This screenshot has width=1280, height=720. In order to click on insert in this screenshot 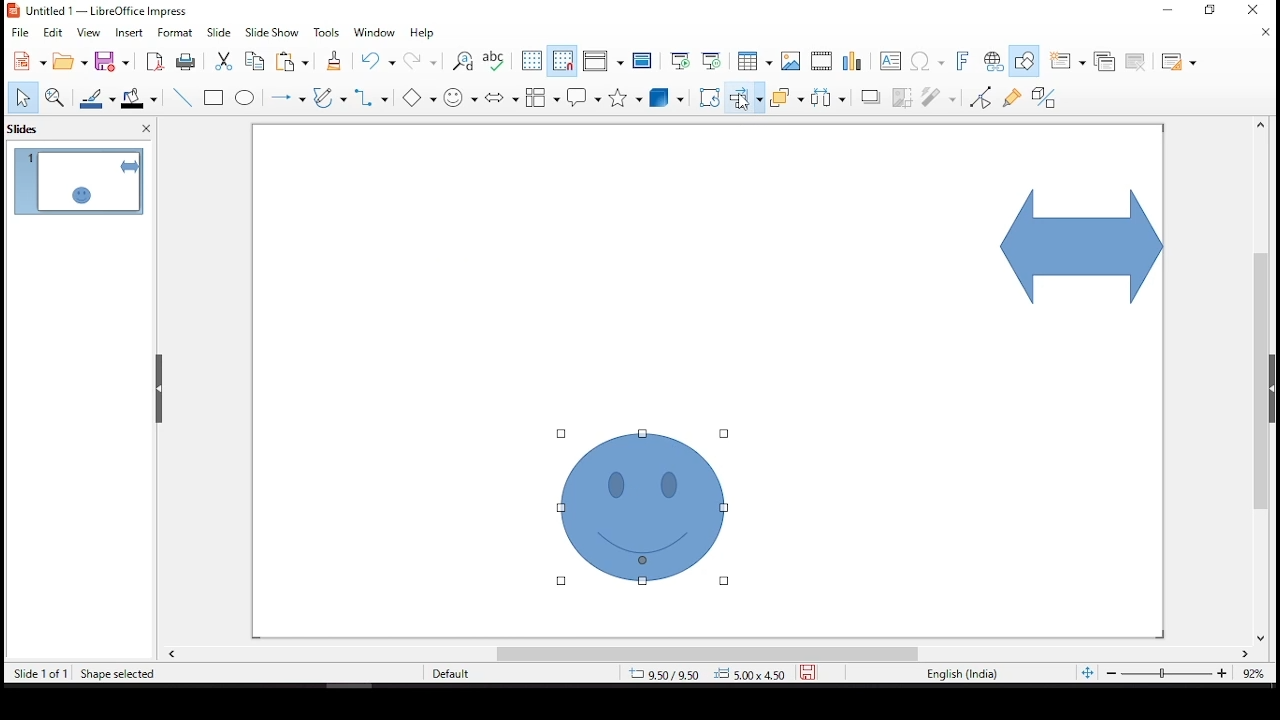, I will do `click(132, 35)`.